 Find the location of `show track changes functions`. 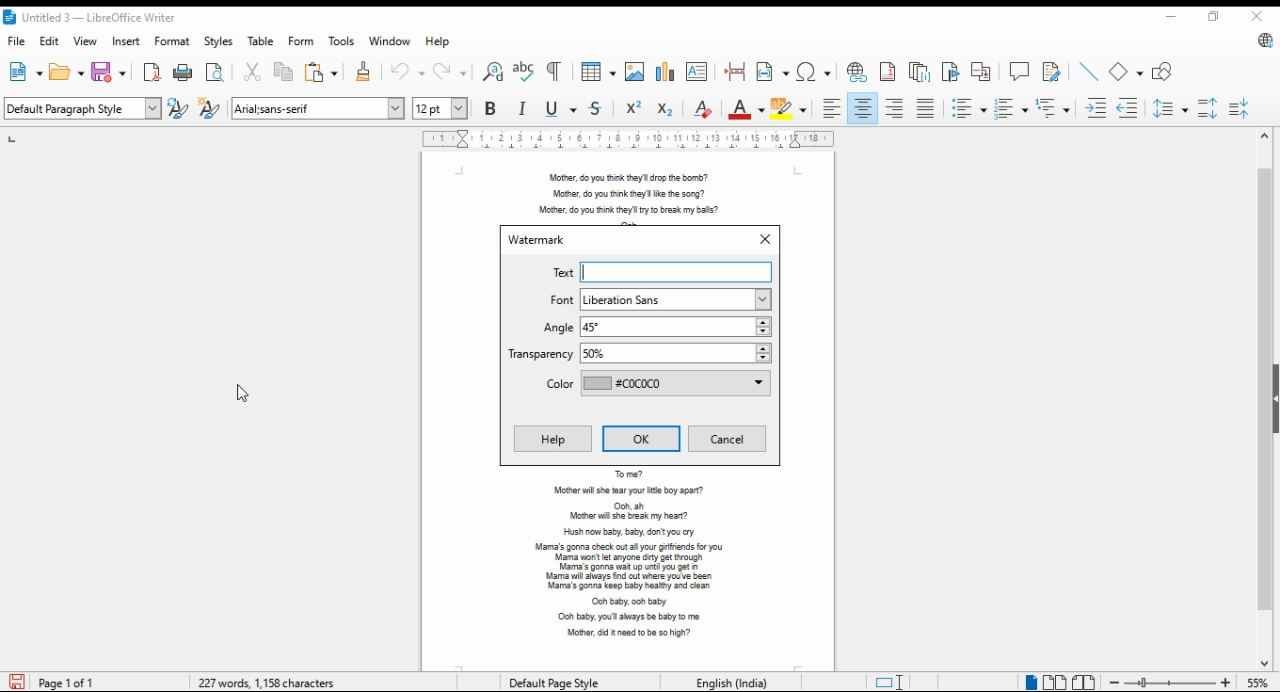

show track changes functions is located at coordinates (1052, 72).